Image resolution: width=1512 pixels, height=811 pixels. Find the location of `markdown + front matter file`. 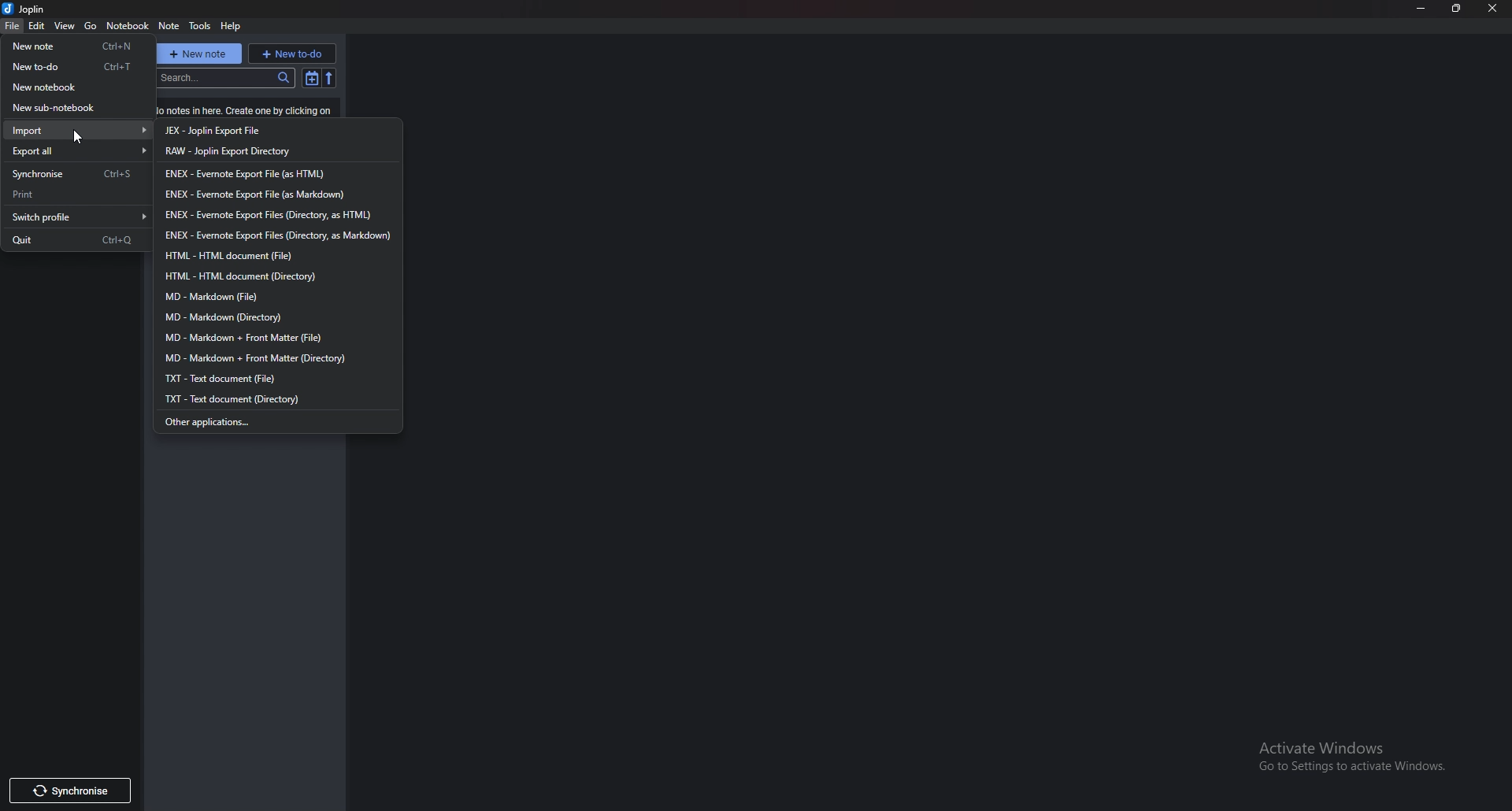

markdown + front matter file is located at coordinates (265, 336).